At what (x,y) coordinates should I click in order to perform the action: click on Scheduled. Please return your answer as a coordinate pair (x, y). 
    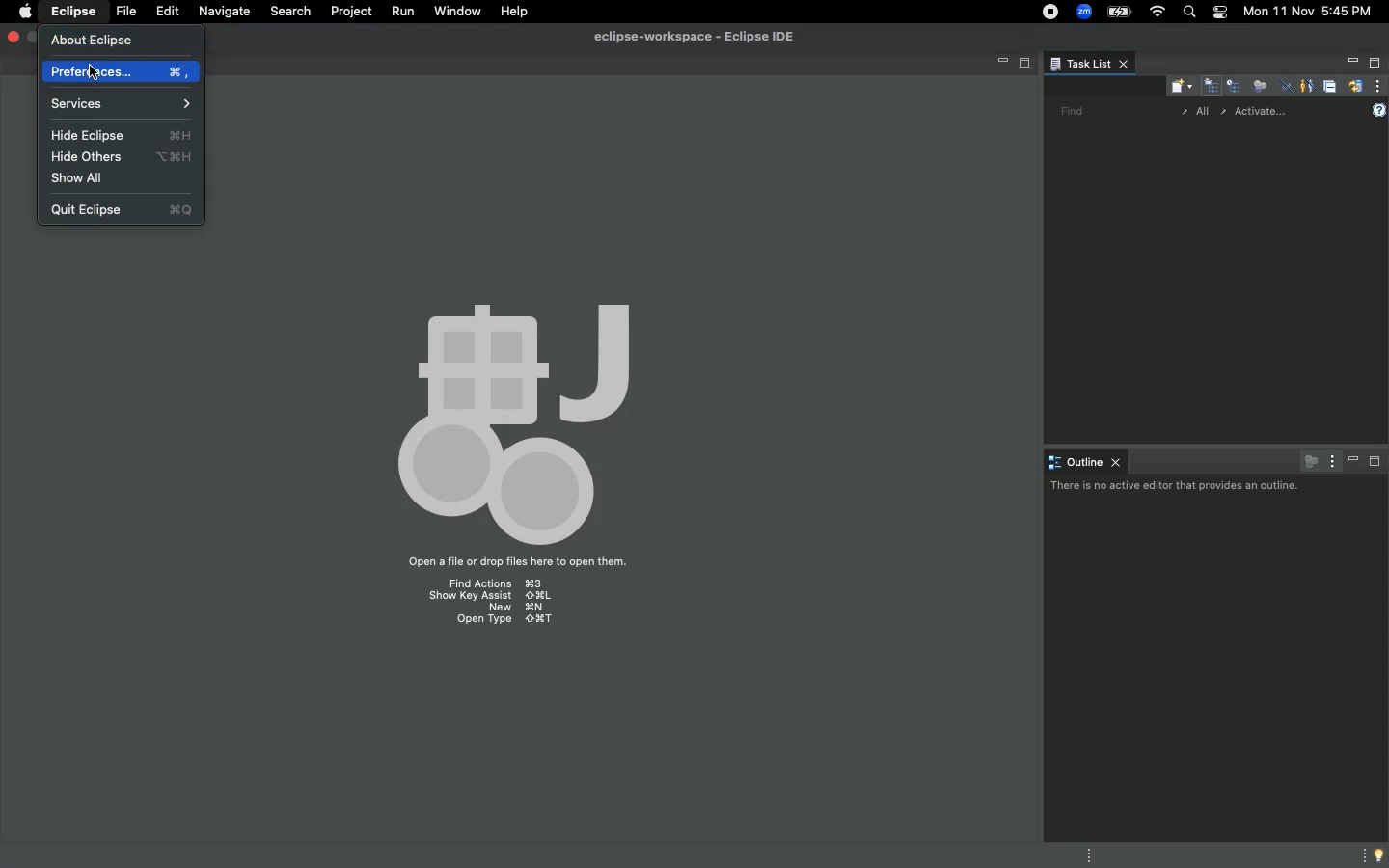
    Looking at the image, I should click on (1233, 85).